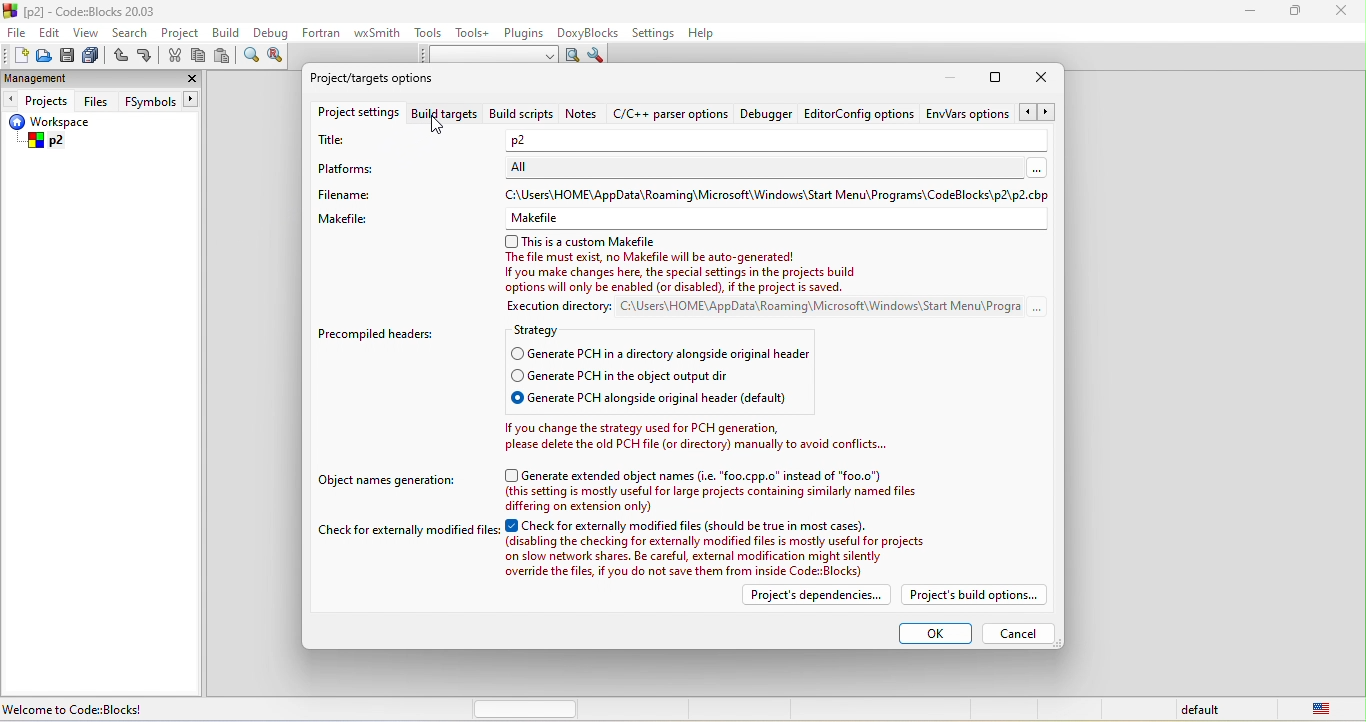 The height and width of the screenshot is (722, 1366). Describe the element at coordinates (356, 115) in the screenshot. I see `project settings` at that location.